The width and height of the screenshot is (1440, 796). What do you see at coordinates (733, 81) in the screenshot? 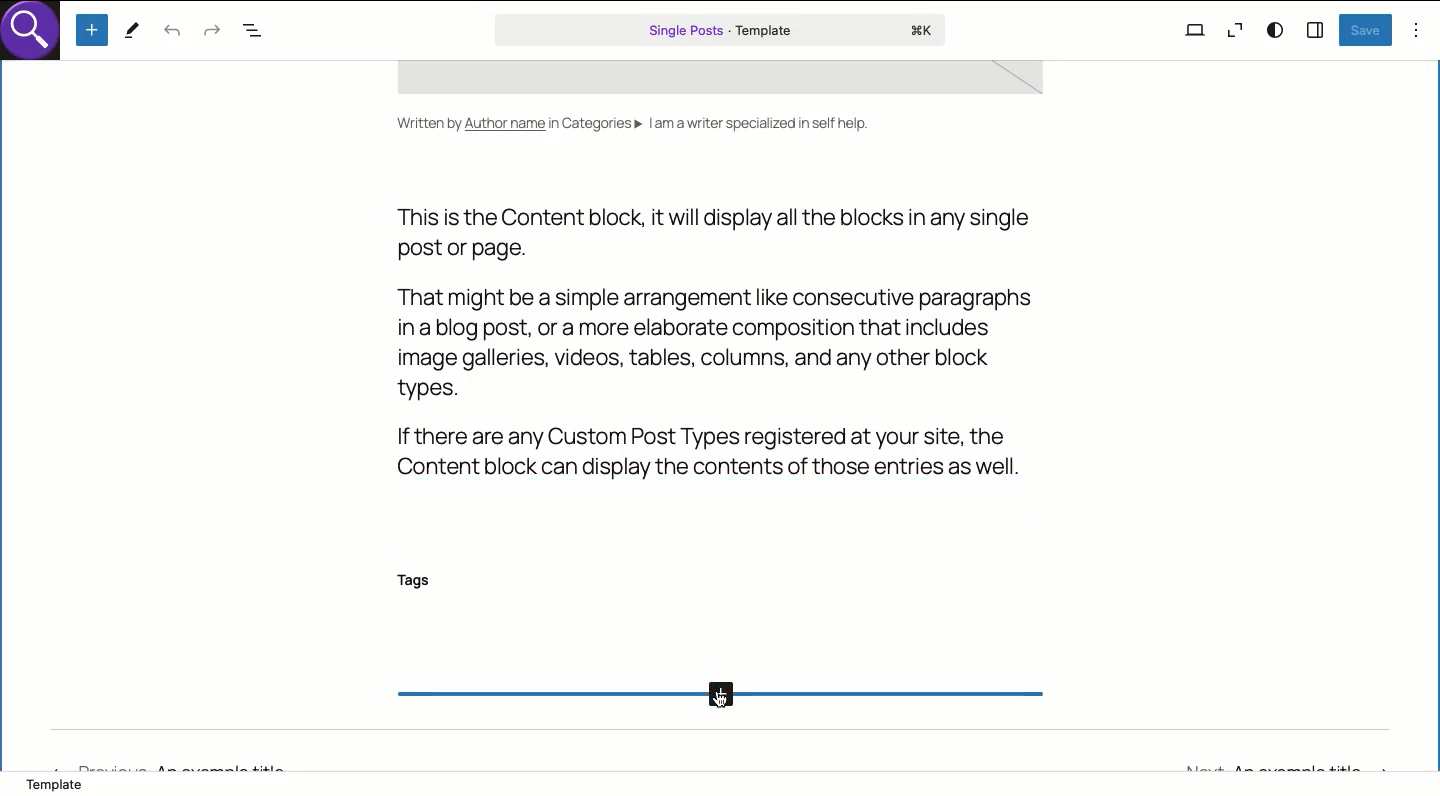
I see `template space` at bounding box center [733, 81].